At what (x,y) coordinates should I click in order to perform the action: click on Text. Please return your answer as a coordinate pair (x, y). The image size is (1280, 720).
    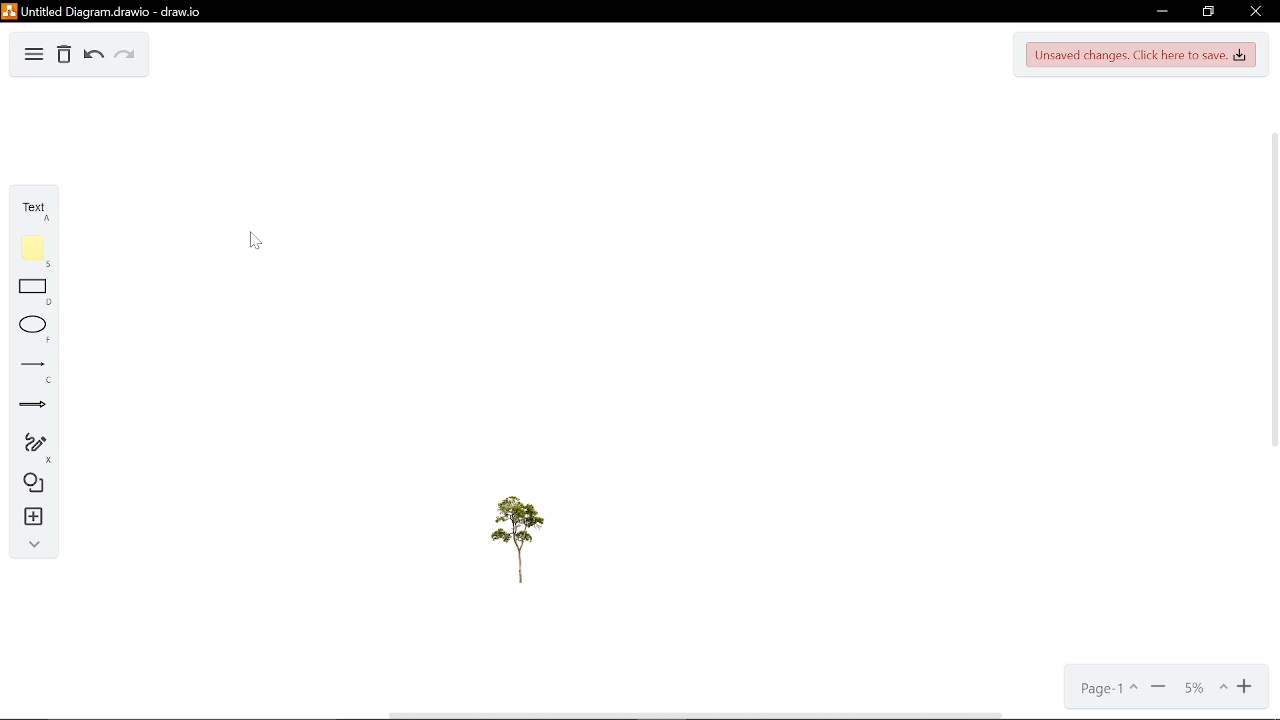
    Looking at the image, I should click on (28, 208).